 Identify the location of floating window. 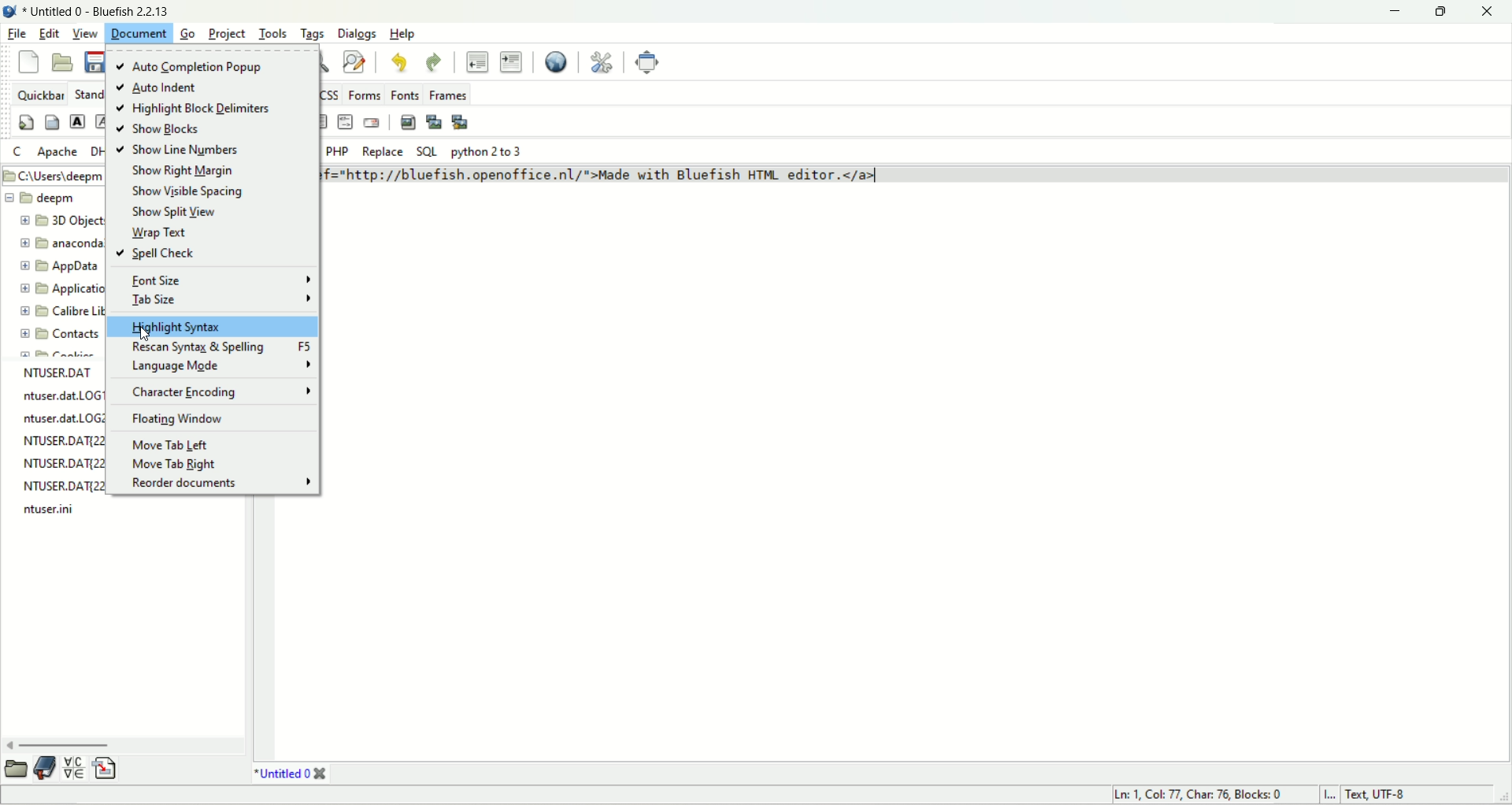
(183, 419).